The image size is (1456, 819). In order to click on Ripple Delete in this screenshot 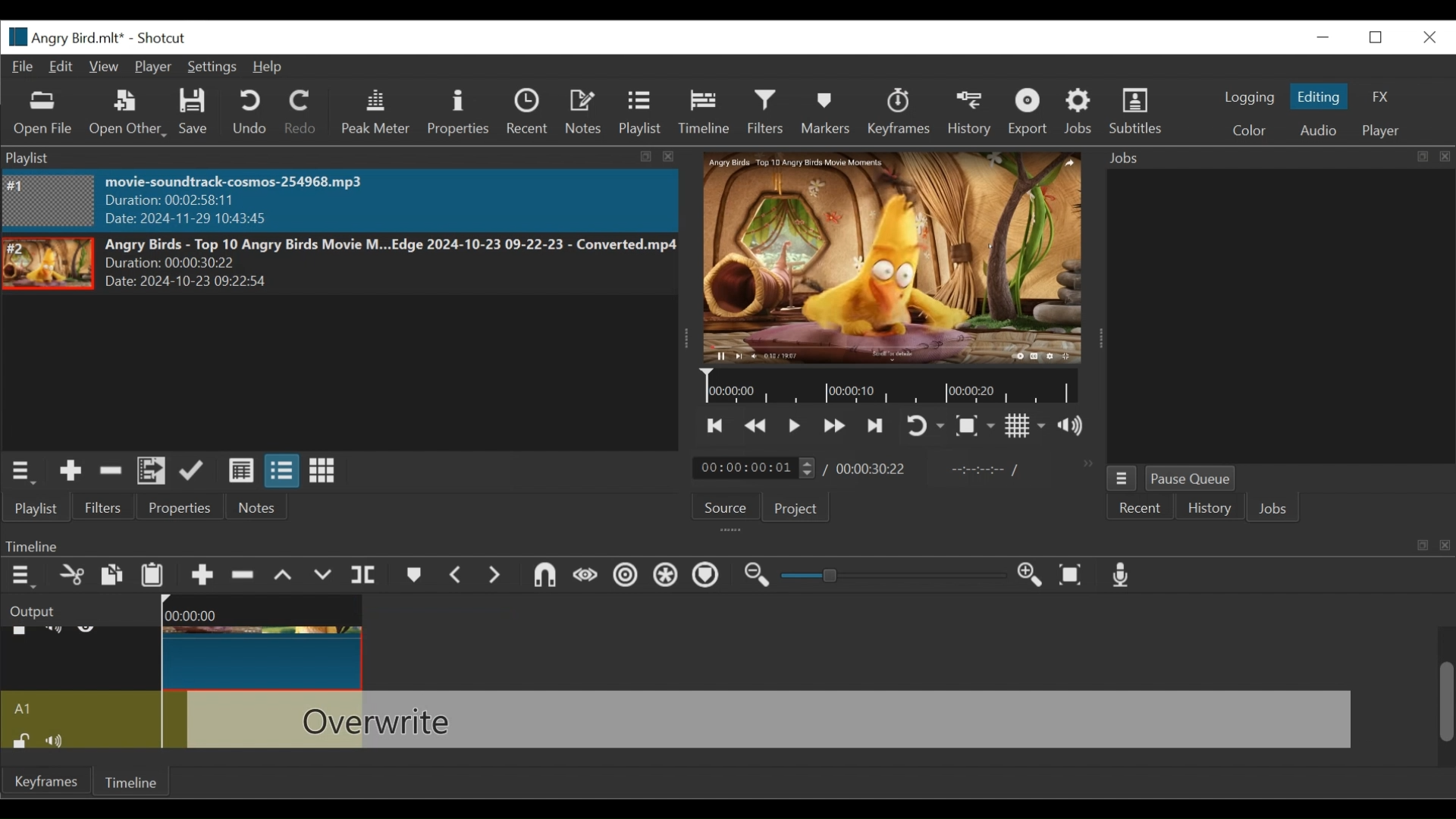, I will do `click(243, 576)`.